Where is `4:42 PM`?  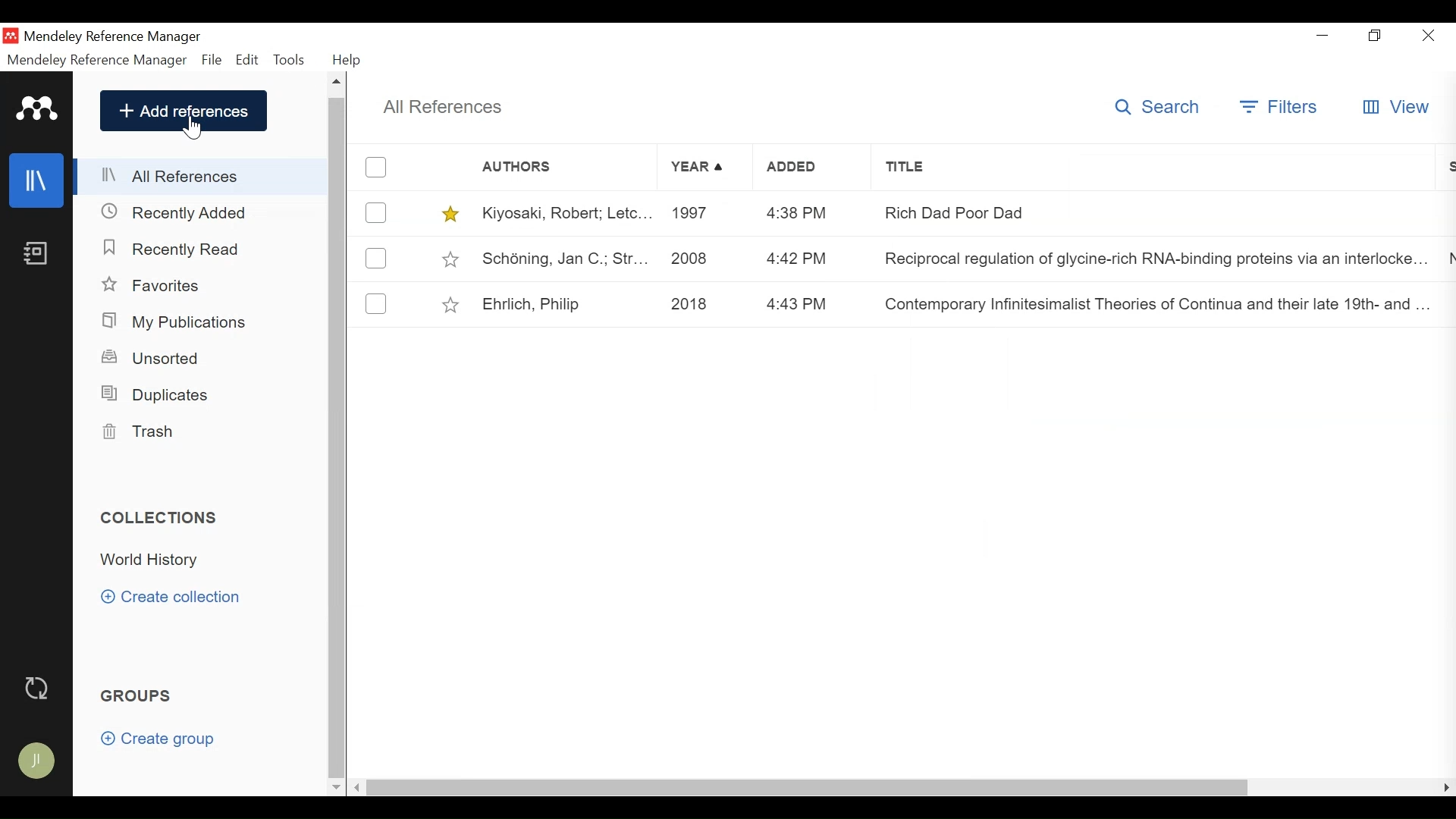
4:42 PM is located at coordinates (799, 257).